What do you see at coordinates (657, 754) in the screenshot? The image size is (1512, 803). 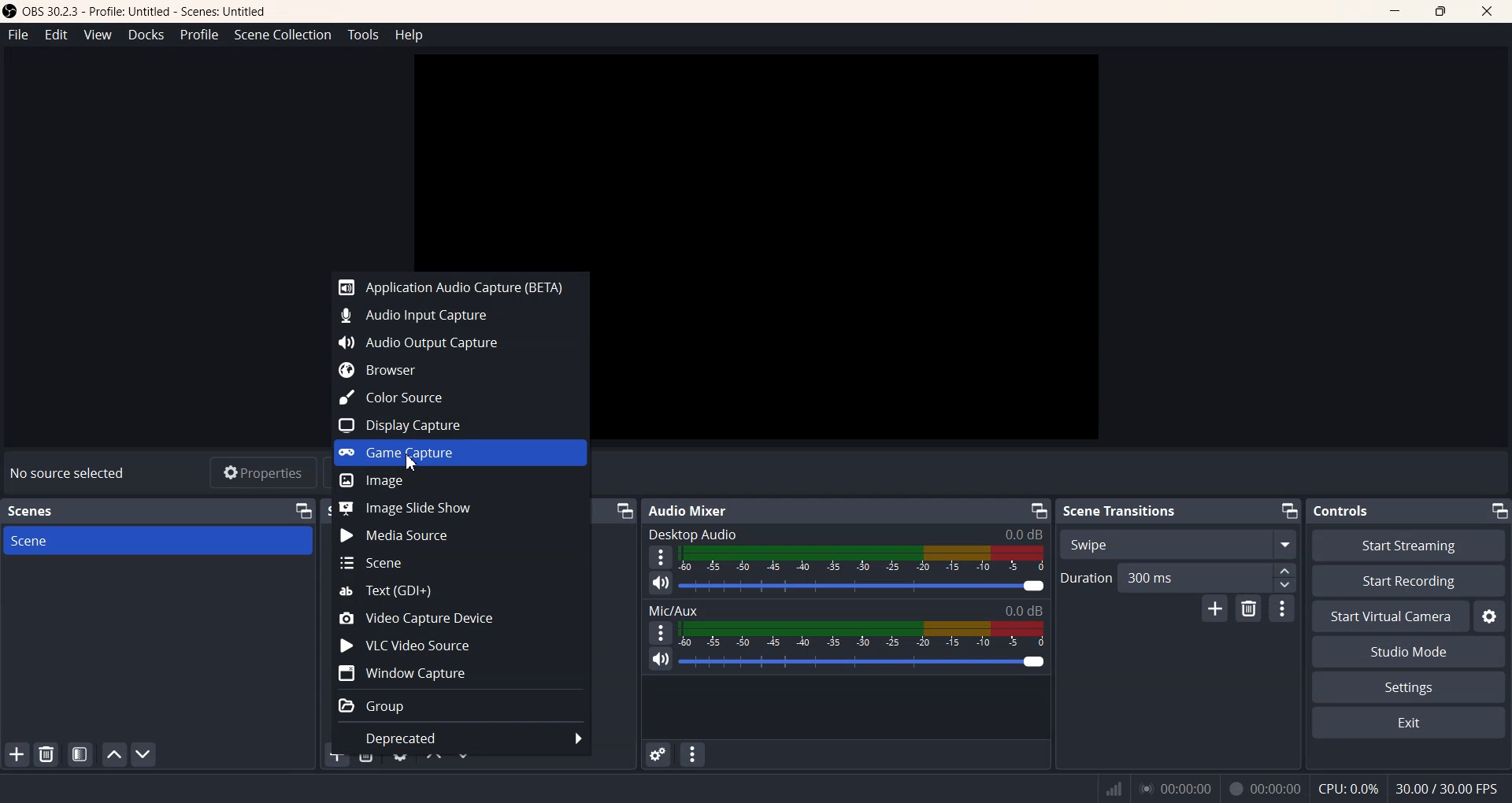 I see `Advanced Audio properties` at bounding box center [657, 754].